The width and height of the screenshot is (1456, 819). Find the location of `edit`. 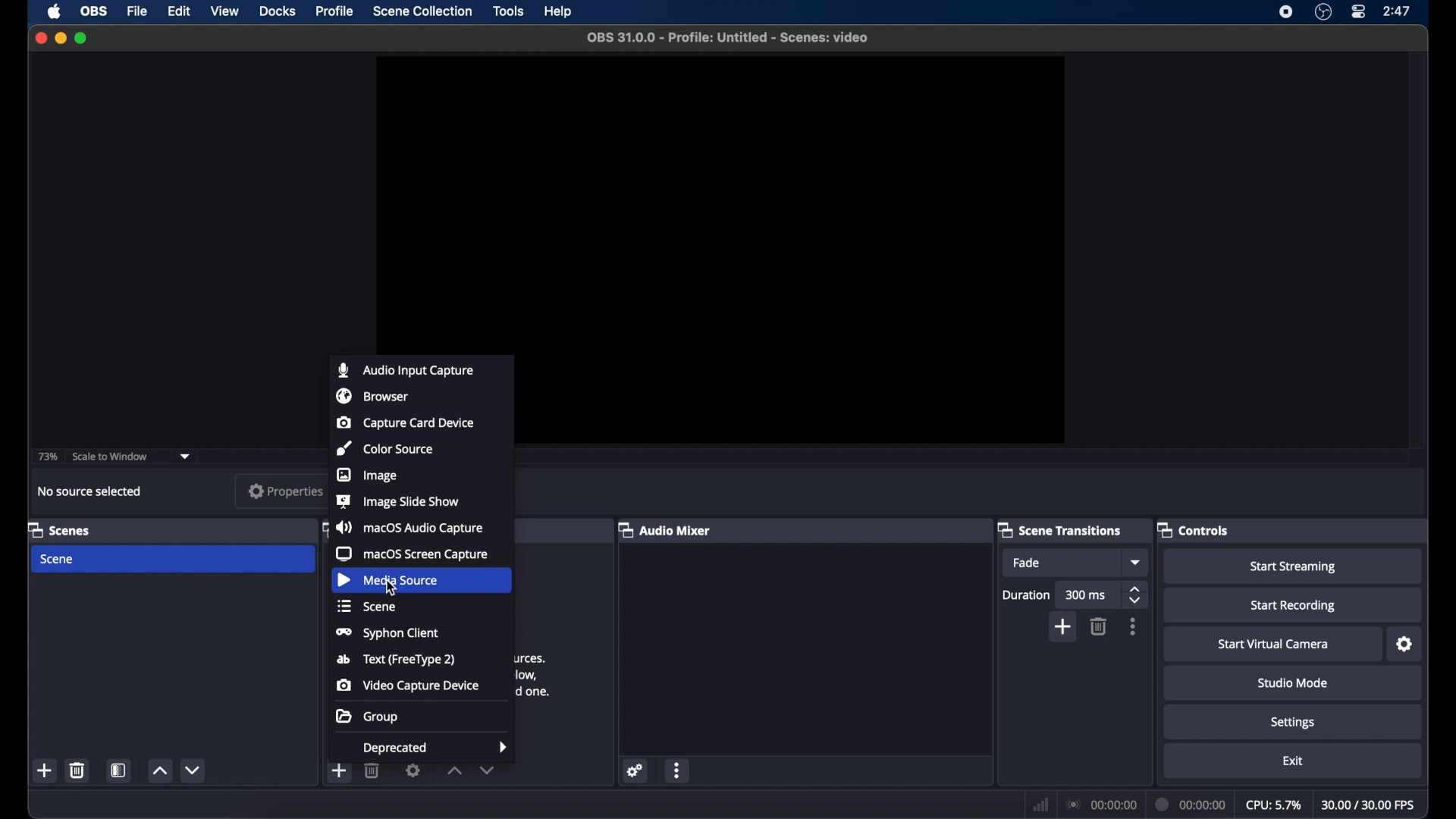

edit is located at coordinates (179, 11).